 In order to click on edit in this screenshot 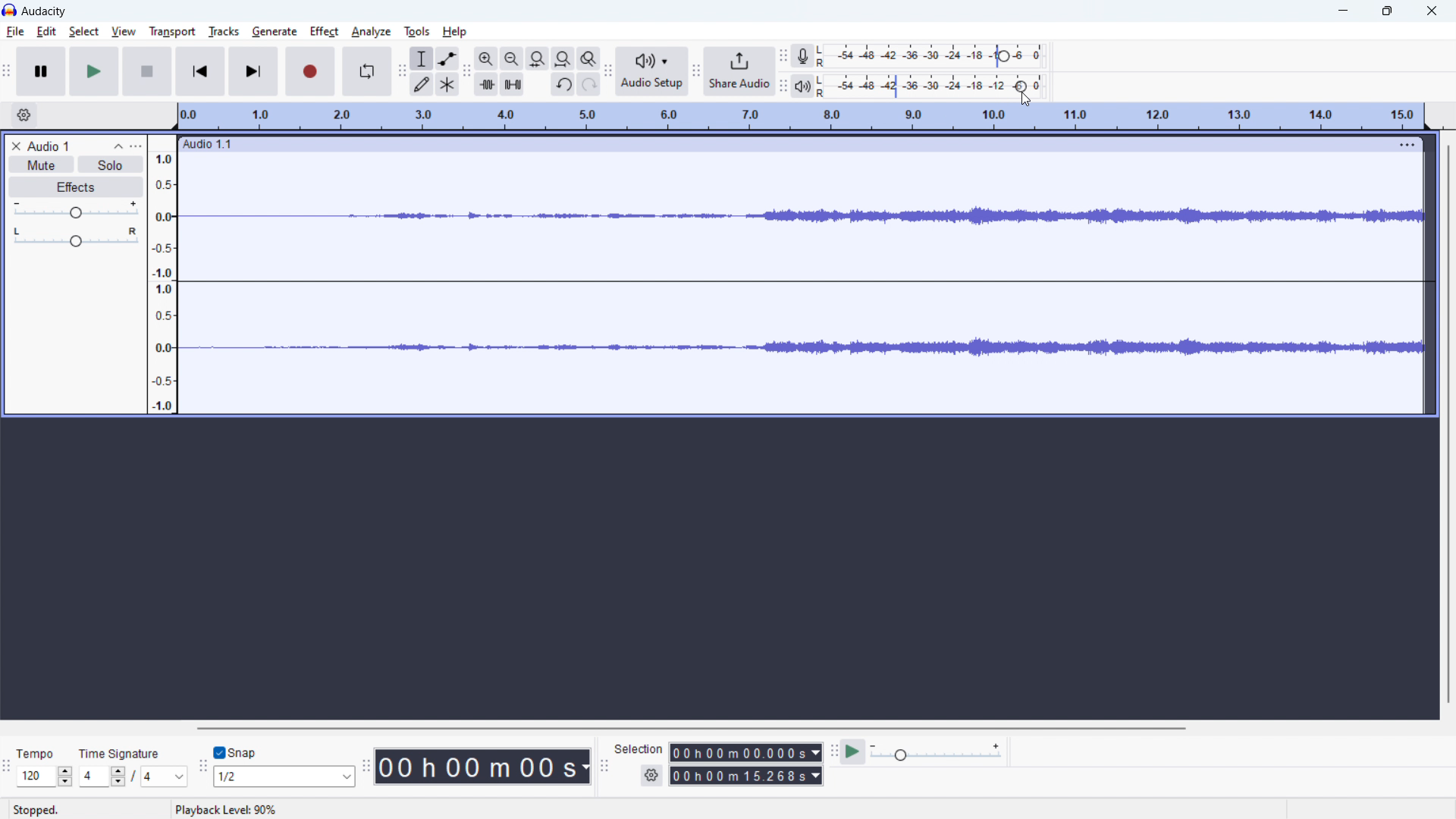, I will do `click(48, 31)`.